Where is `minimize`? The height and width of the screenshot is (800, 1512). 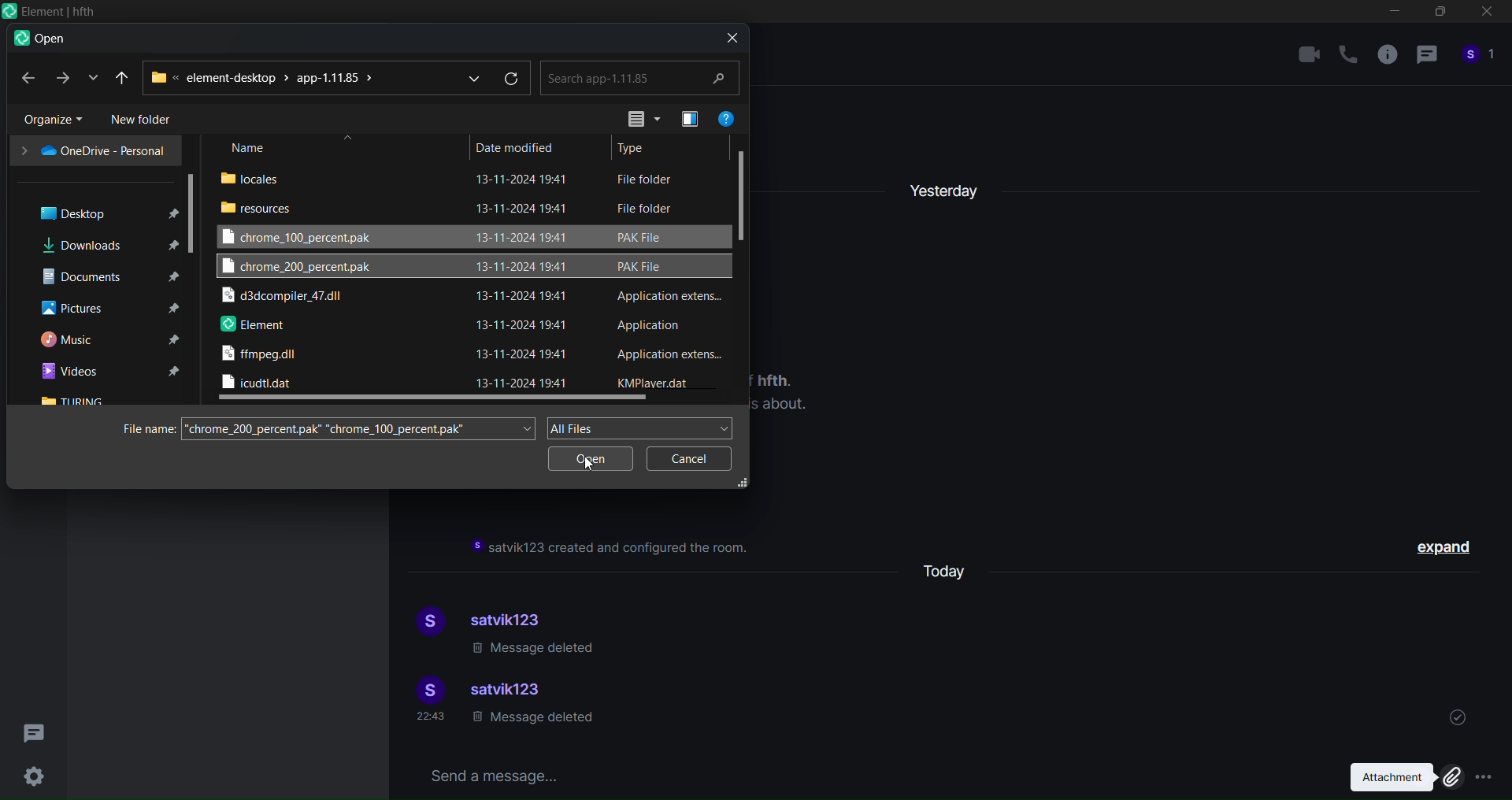 minimize is located at coordinates (1395, 14).